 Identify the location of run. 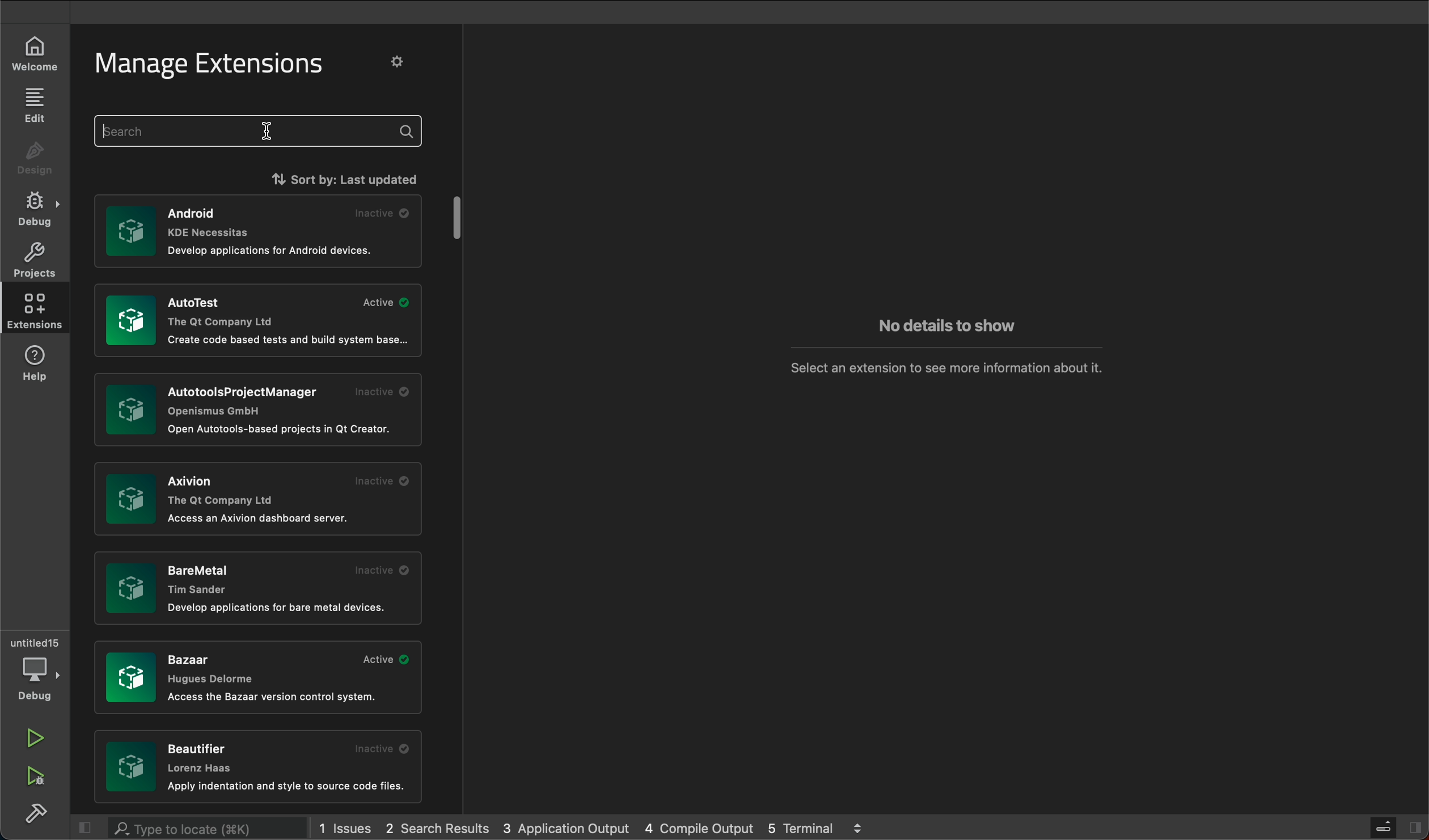
(38, 739).